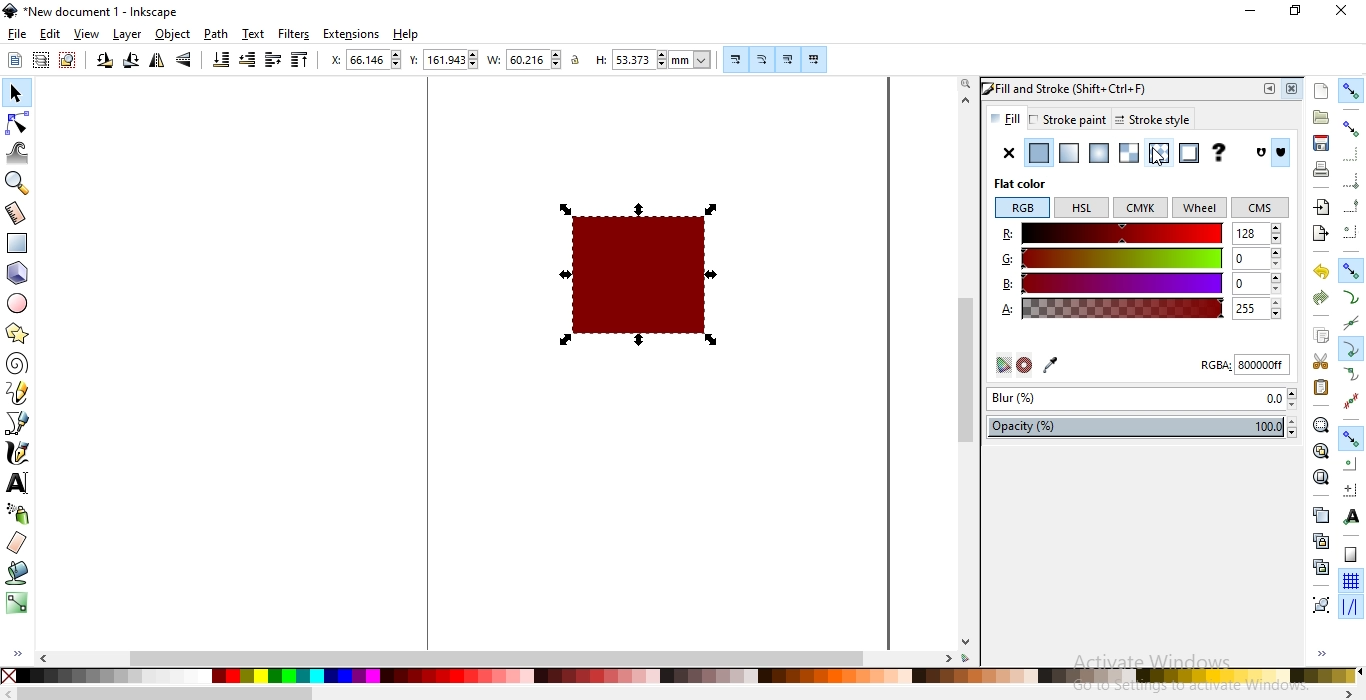 Image resolution: width=1366 pixels, height=700 pixels. Describe the element at coordinates (1141, 400) in the screenshot. I see `blur` at that location.